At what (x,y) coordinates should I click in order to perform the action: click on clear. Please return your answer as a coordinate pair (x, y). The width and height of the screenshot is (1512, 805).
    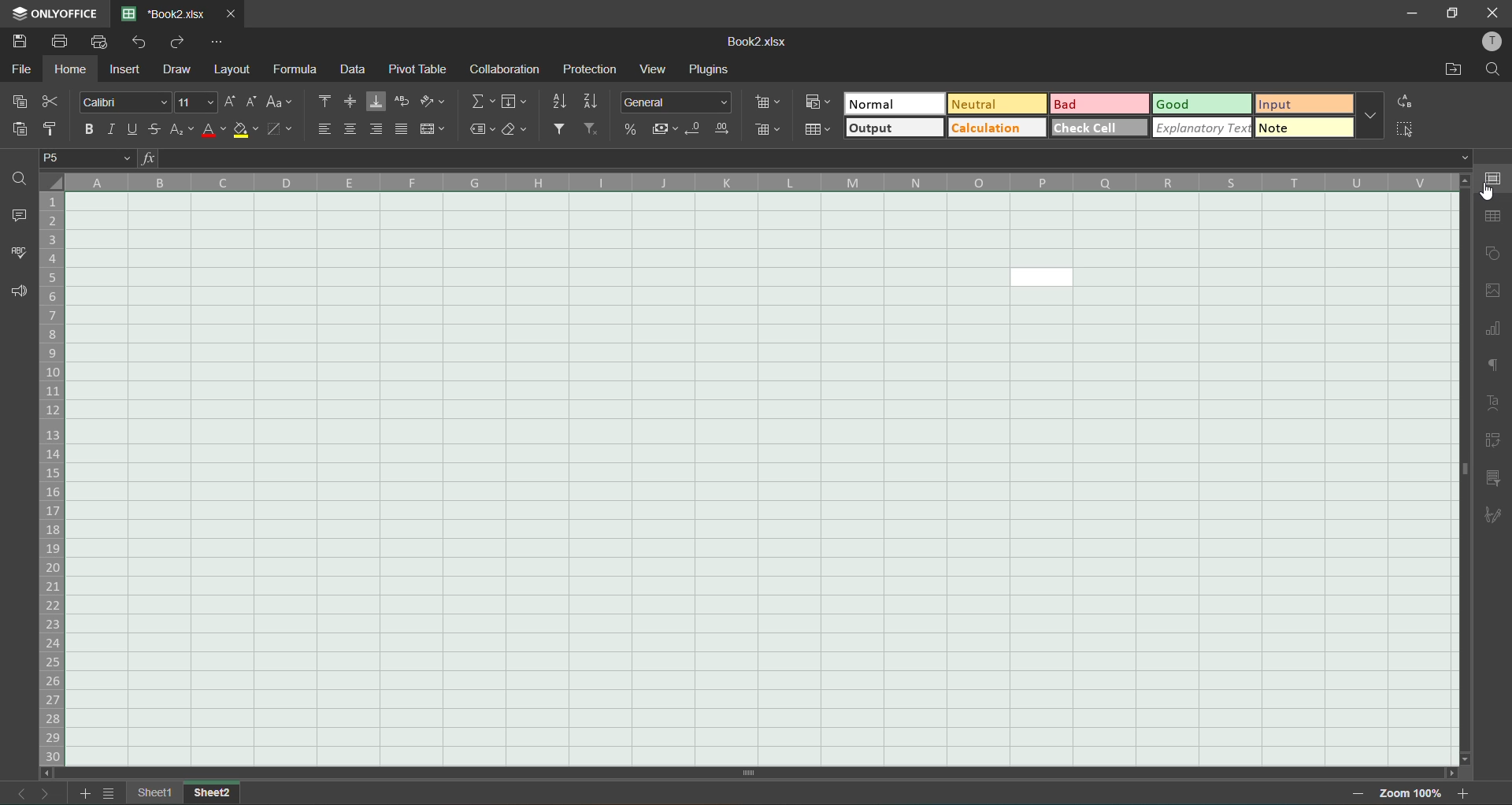
    Looking at the image, I should click on (521, 132).